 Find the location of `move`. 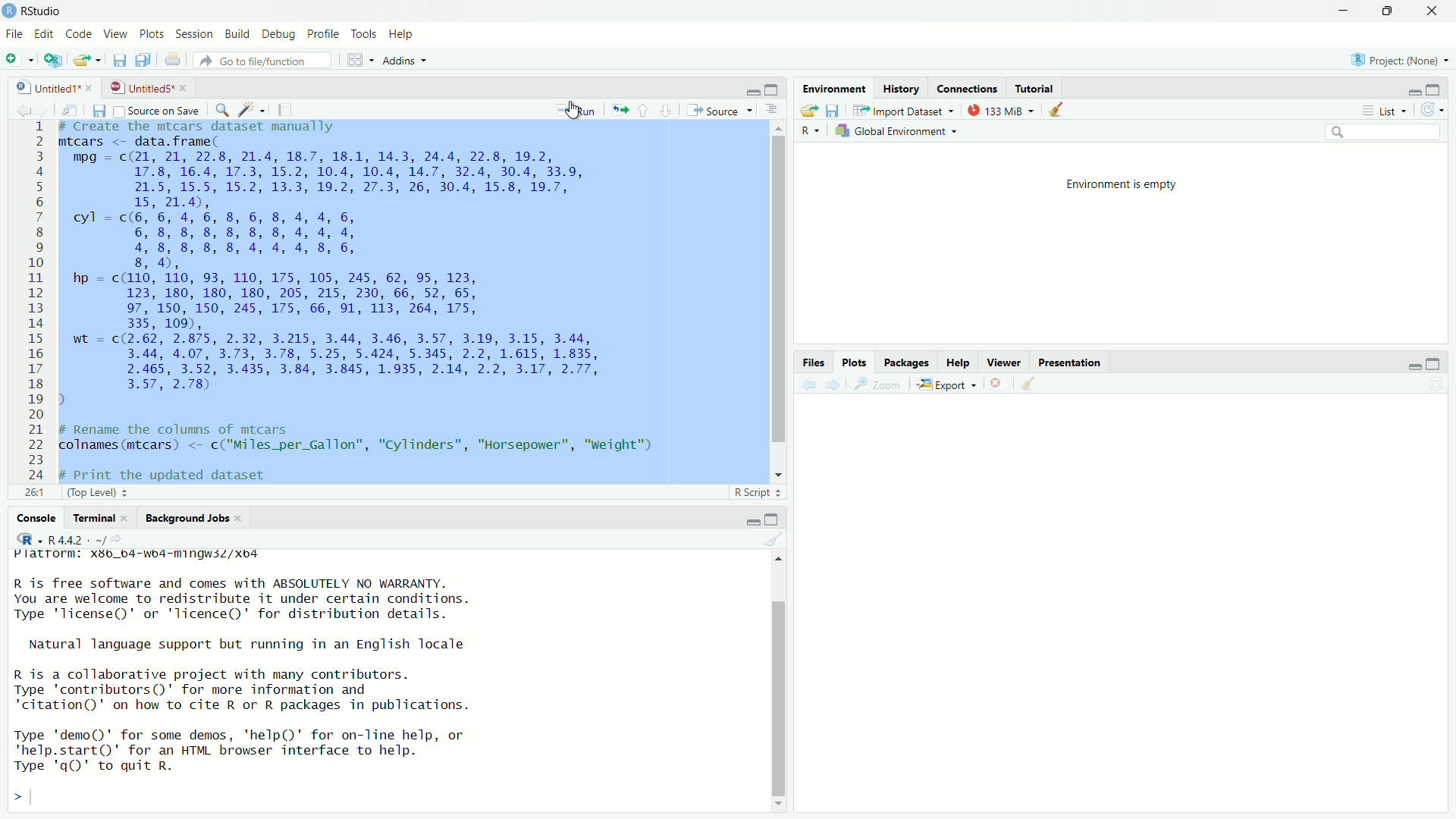

move is located at coordinates (70, 109).